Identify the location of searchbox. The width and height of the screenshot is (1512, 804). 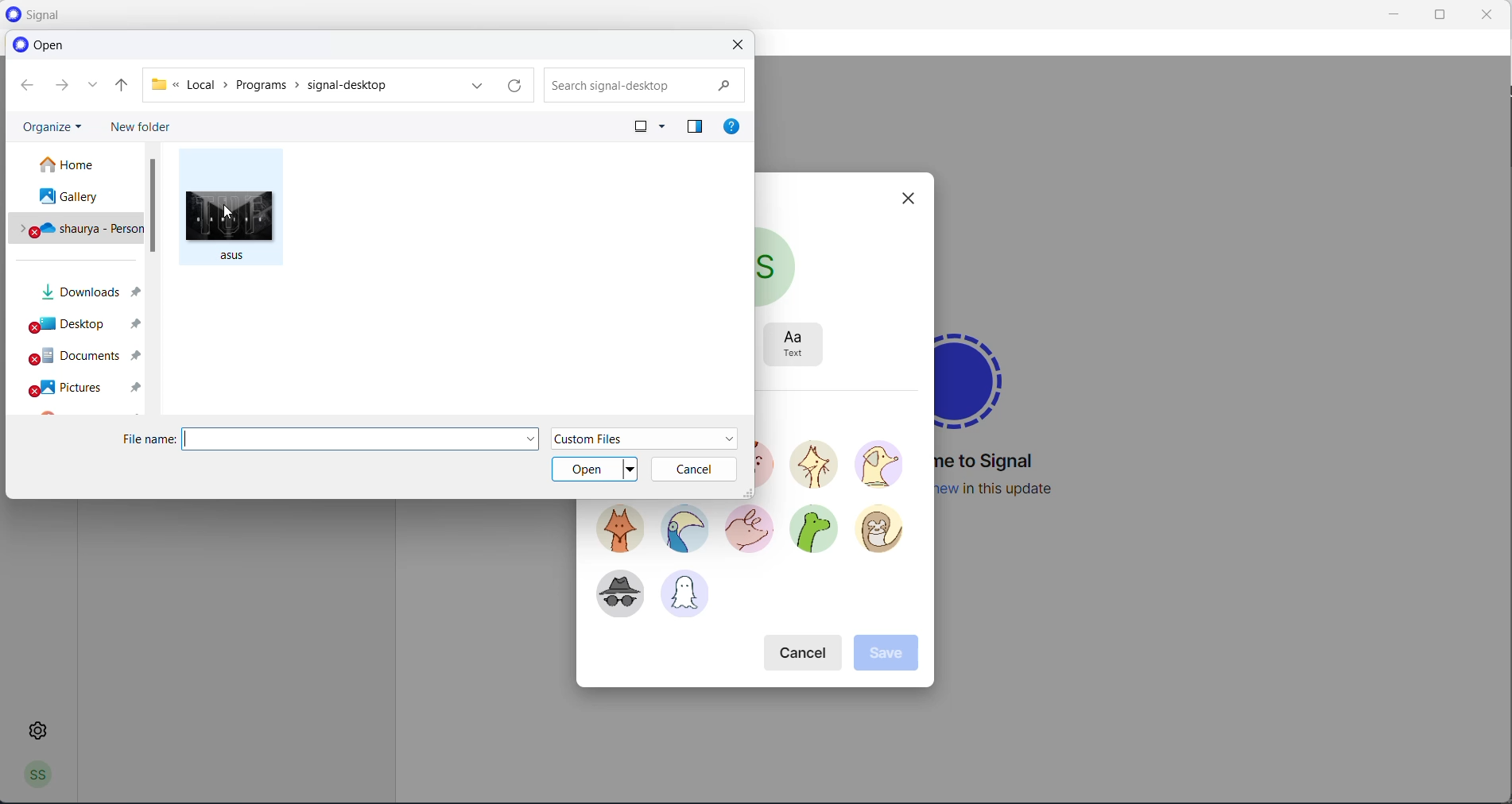
(643, 88).